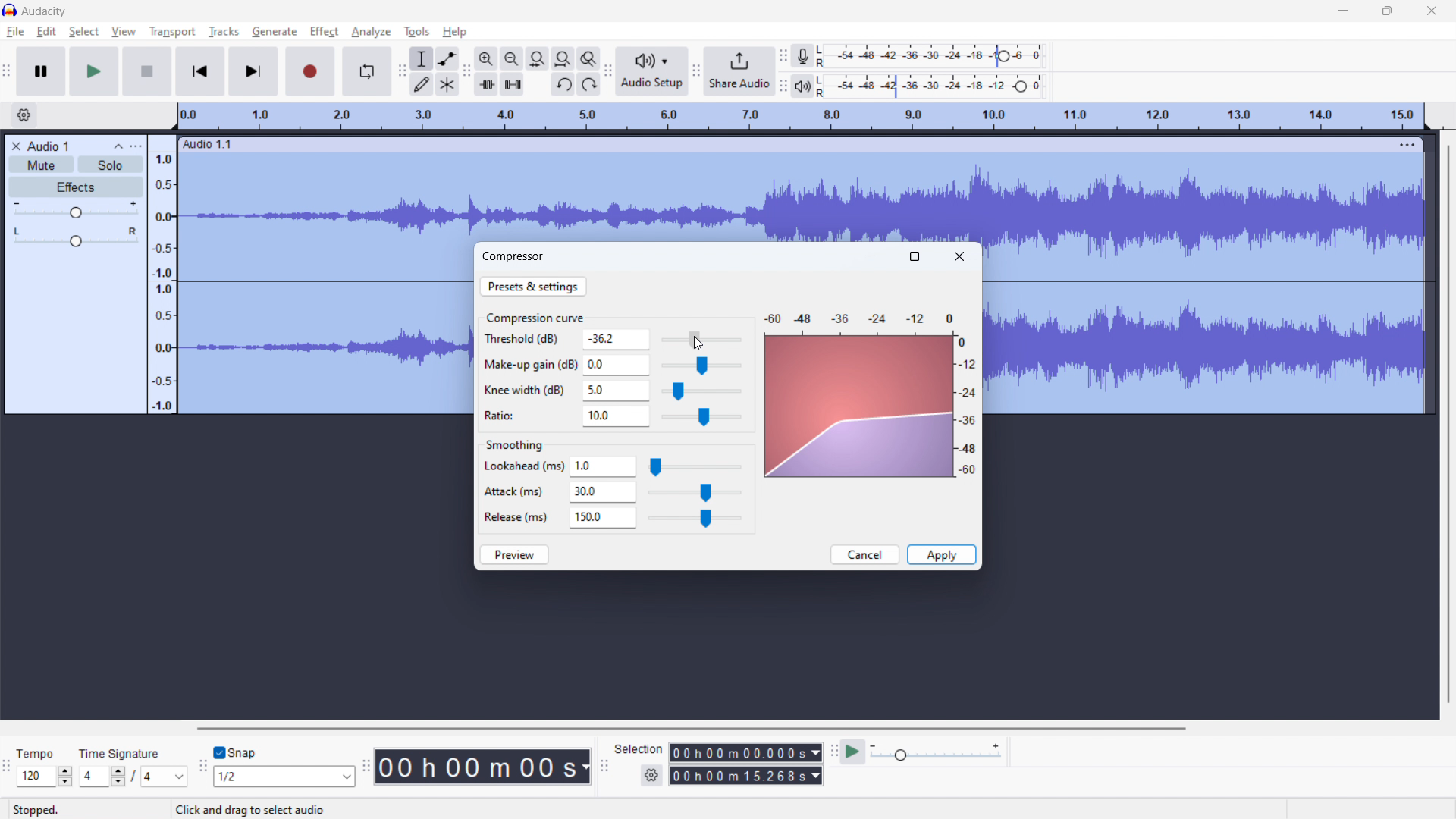 The height and width of the screenshot is (819, 1456). I want to click on zoom in, so click(486, 58).